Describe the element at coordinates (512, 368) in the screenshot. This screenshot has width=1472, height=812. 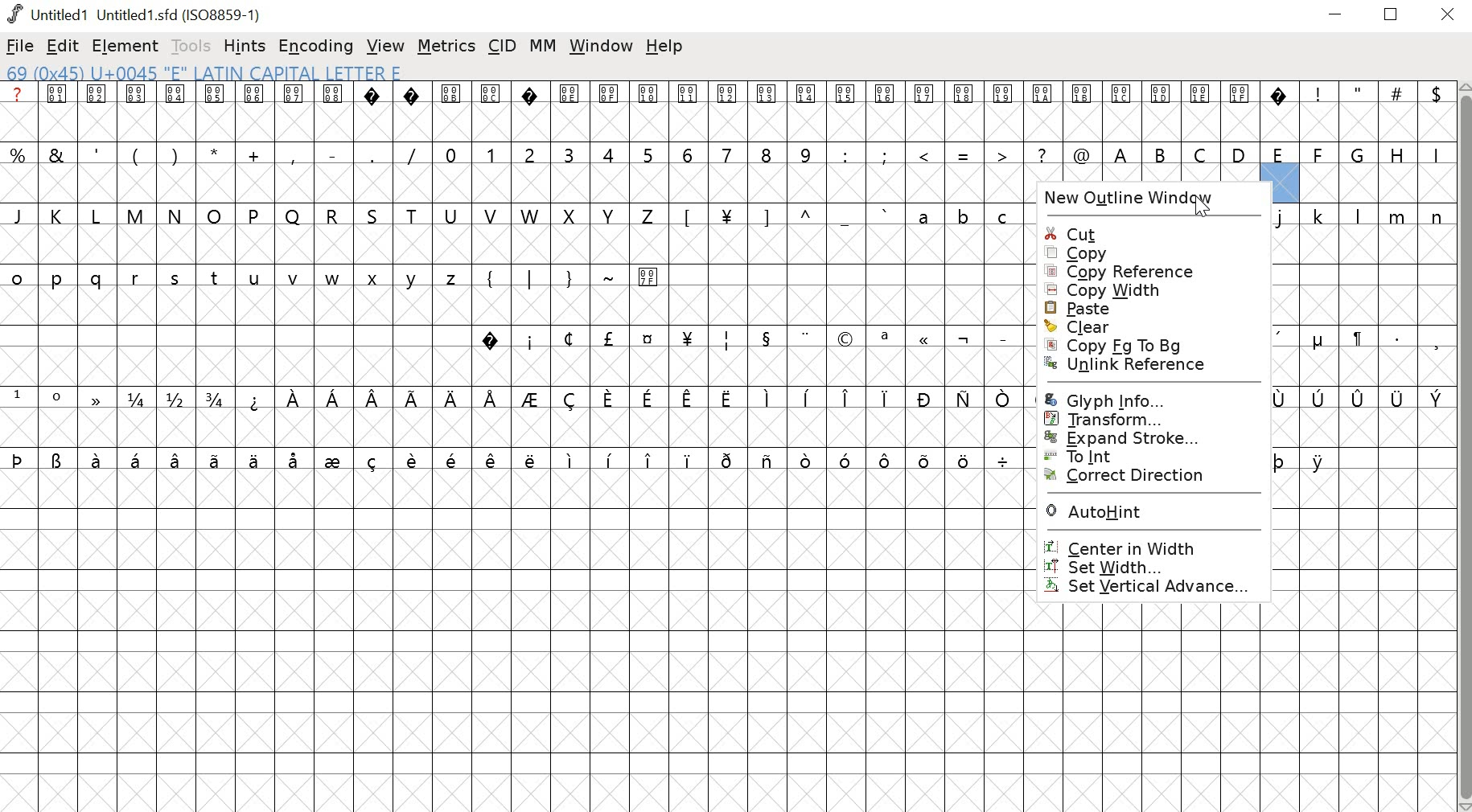
I see `empty cells` at that location.